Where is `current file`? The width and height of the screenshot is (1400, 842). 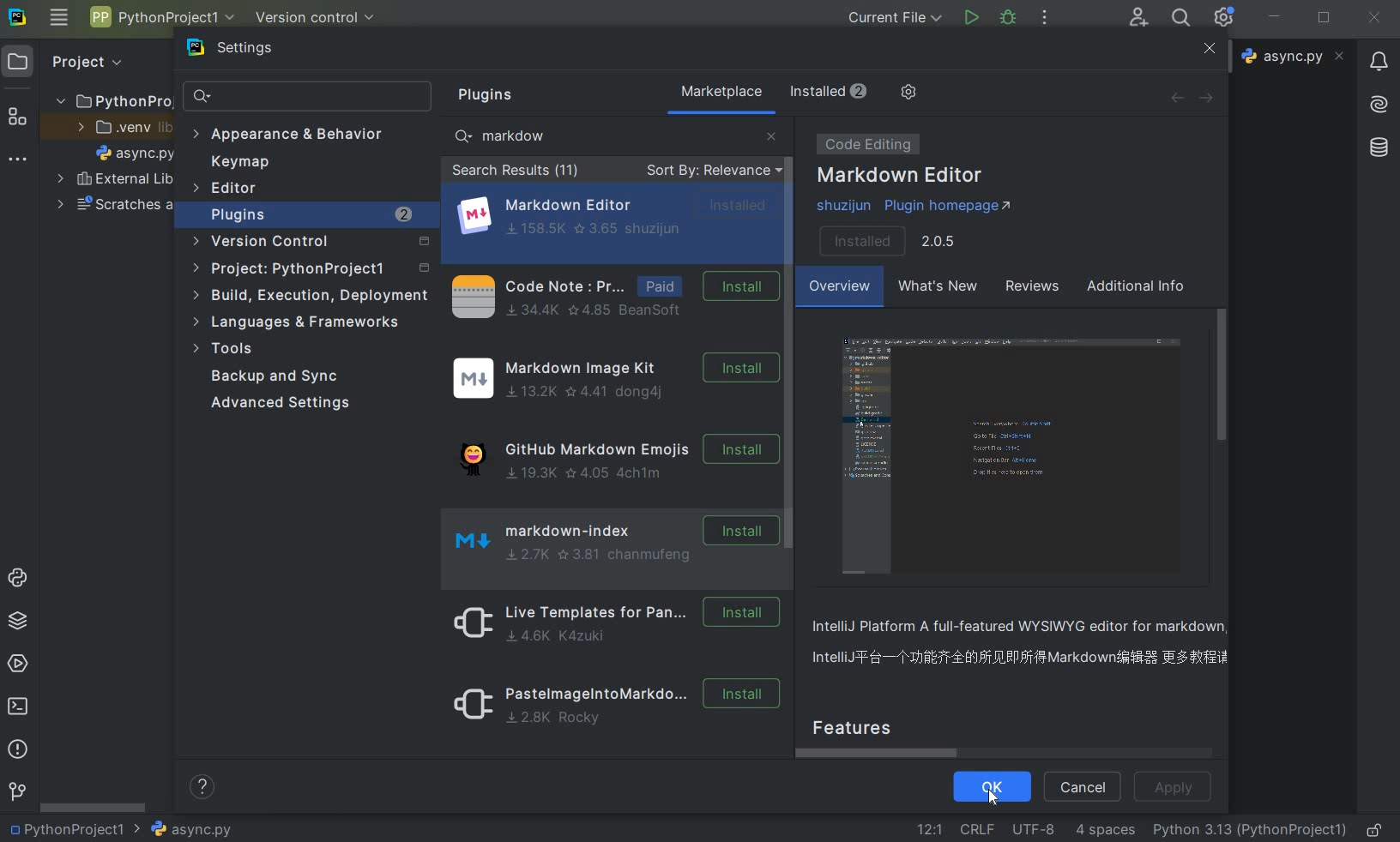 current file is located at coordinates (895, 17).